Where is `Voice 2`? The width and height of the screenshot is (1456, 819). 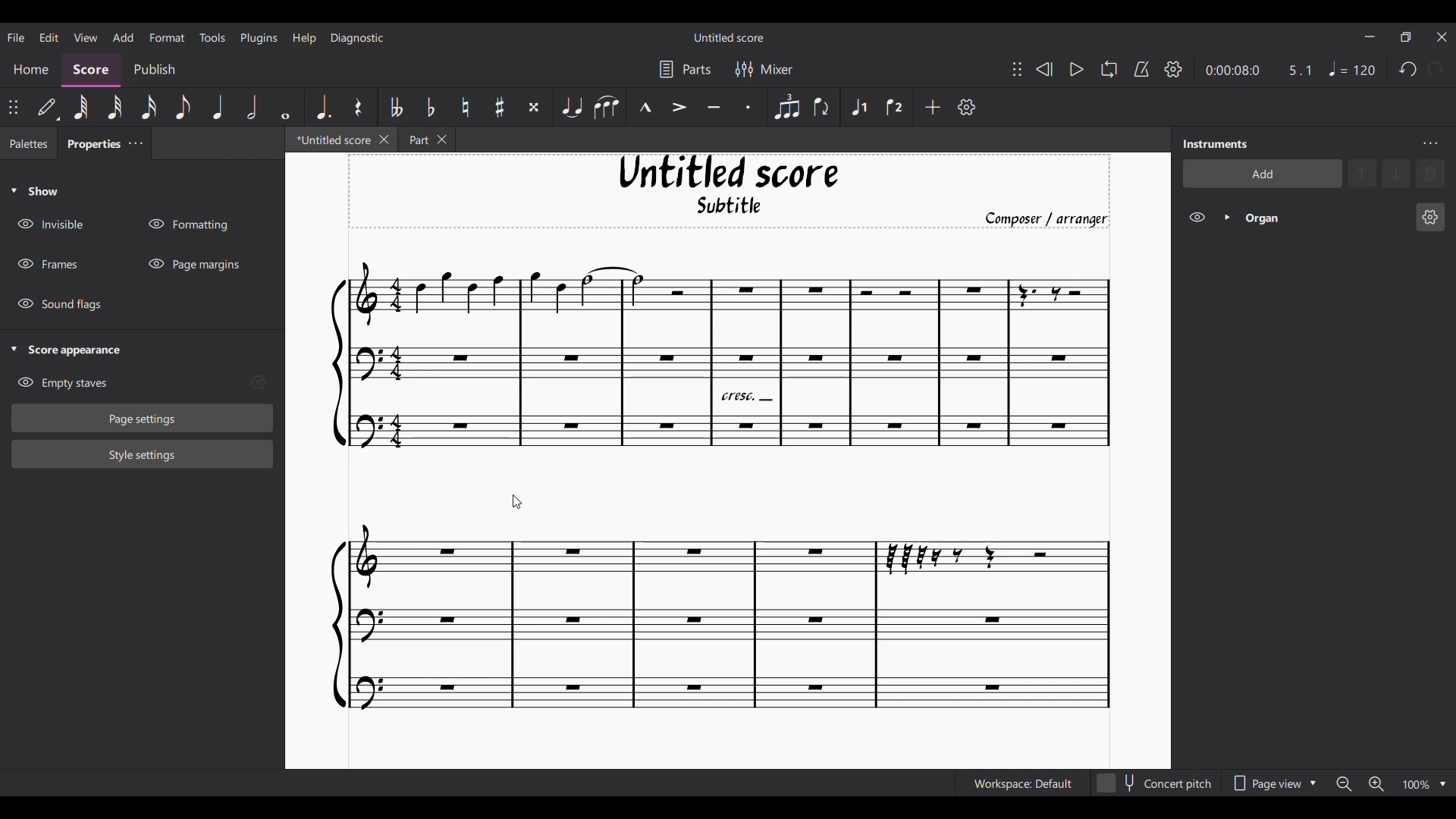 Voice 2 is located at coordinates (896, 107).